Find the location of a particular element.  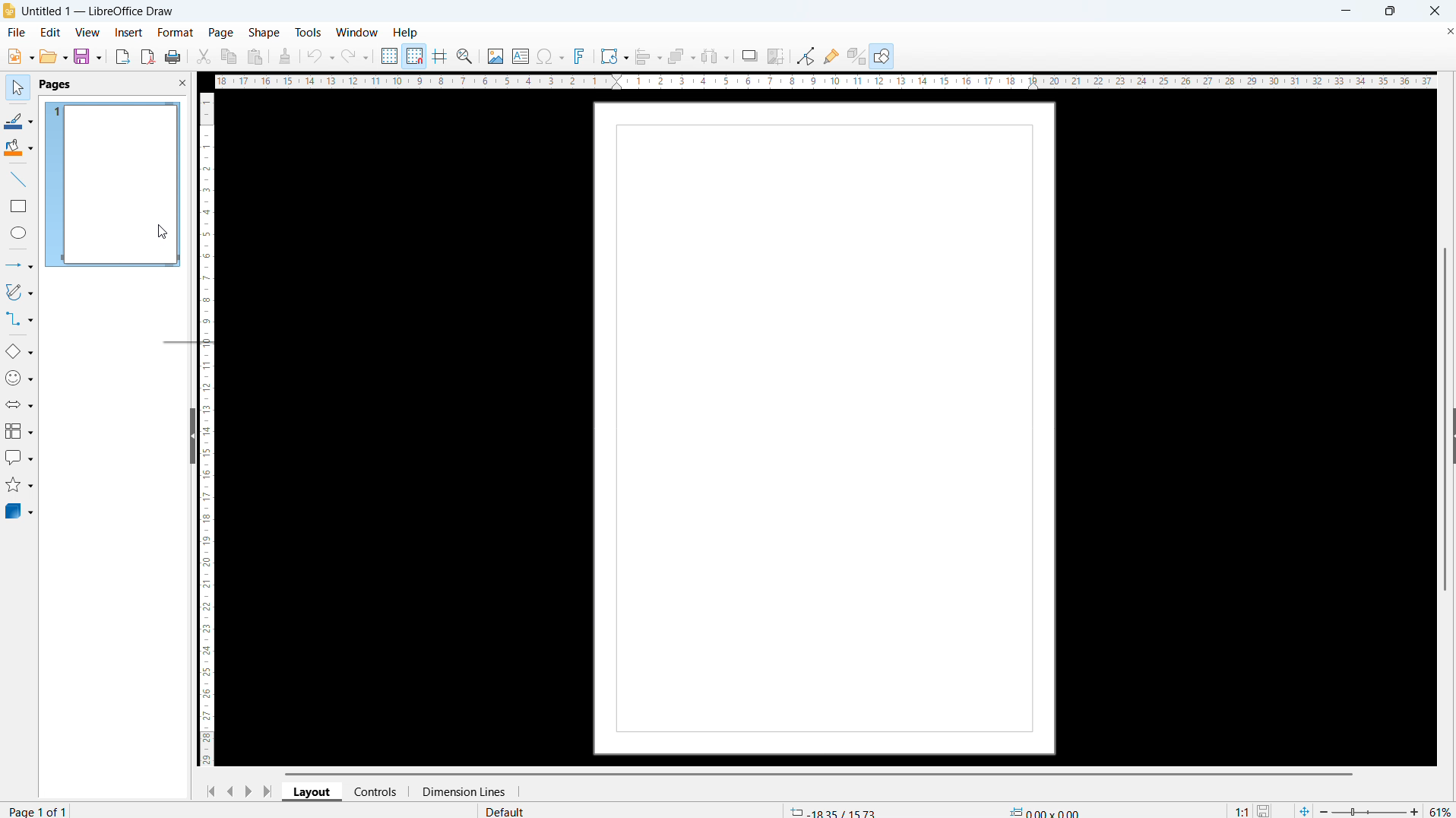

view is located at coordinates (87, 33).